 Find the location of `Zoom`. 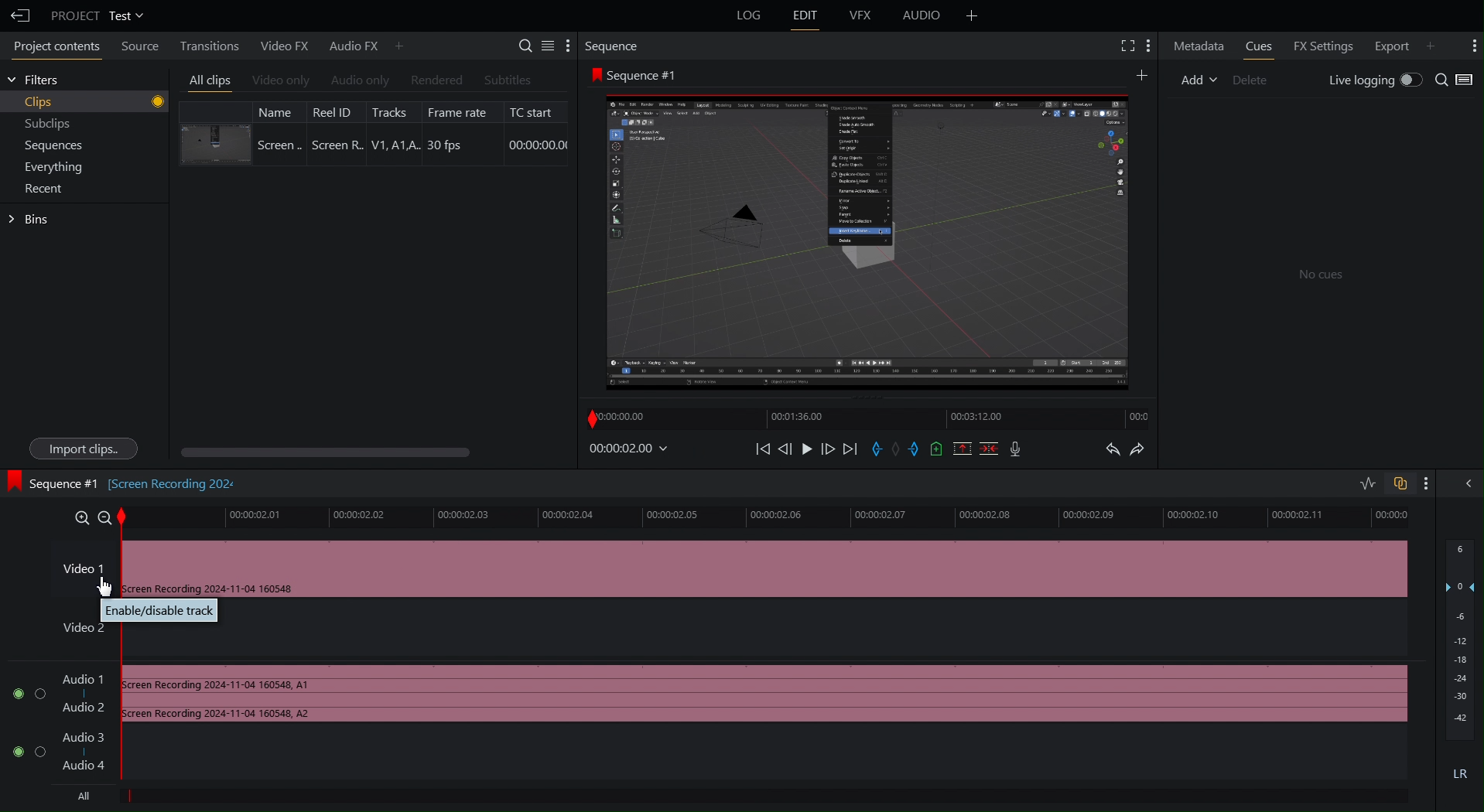

Zoom is located at coordinates (92, 517).